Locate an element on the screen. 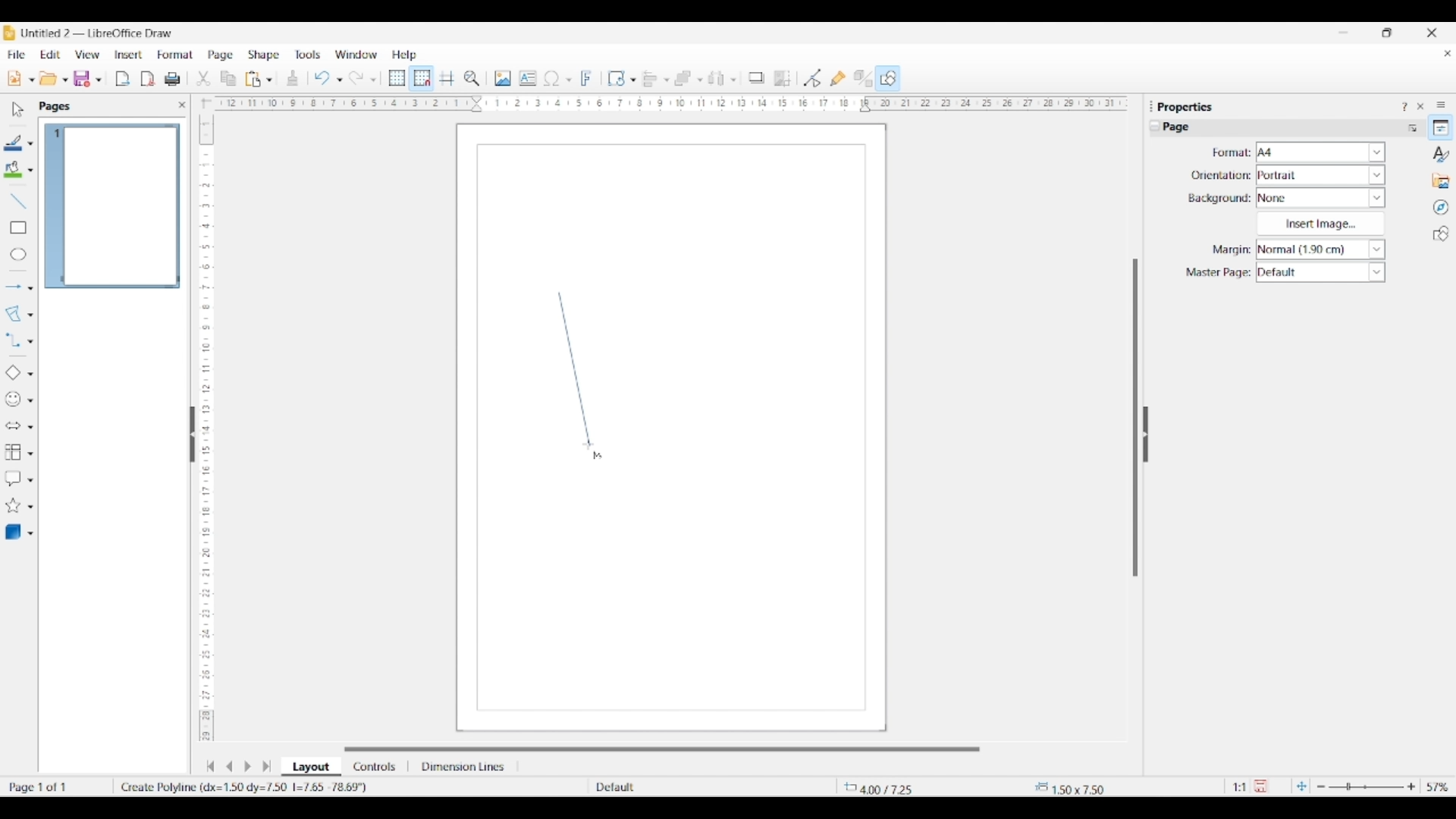  Page is located at coordinates (221, 56).